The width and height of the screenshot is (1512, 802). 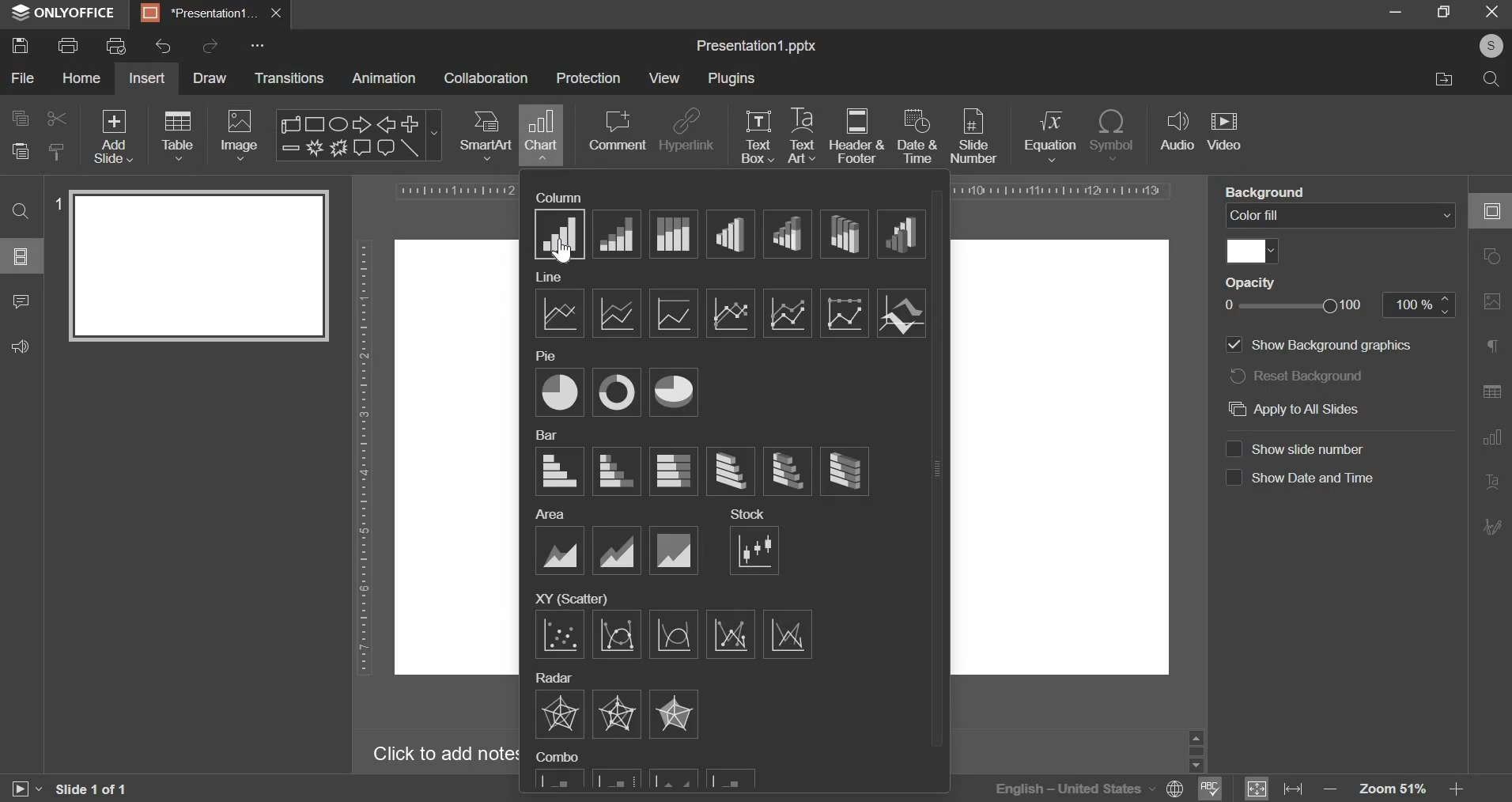 I want to click on file, so click(x=22, y=78).